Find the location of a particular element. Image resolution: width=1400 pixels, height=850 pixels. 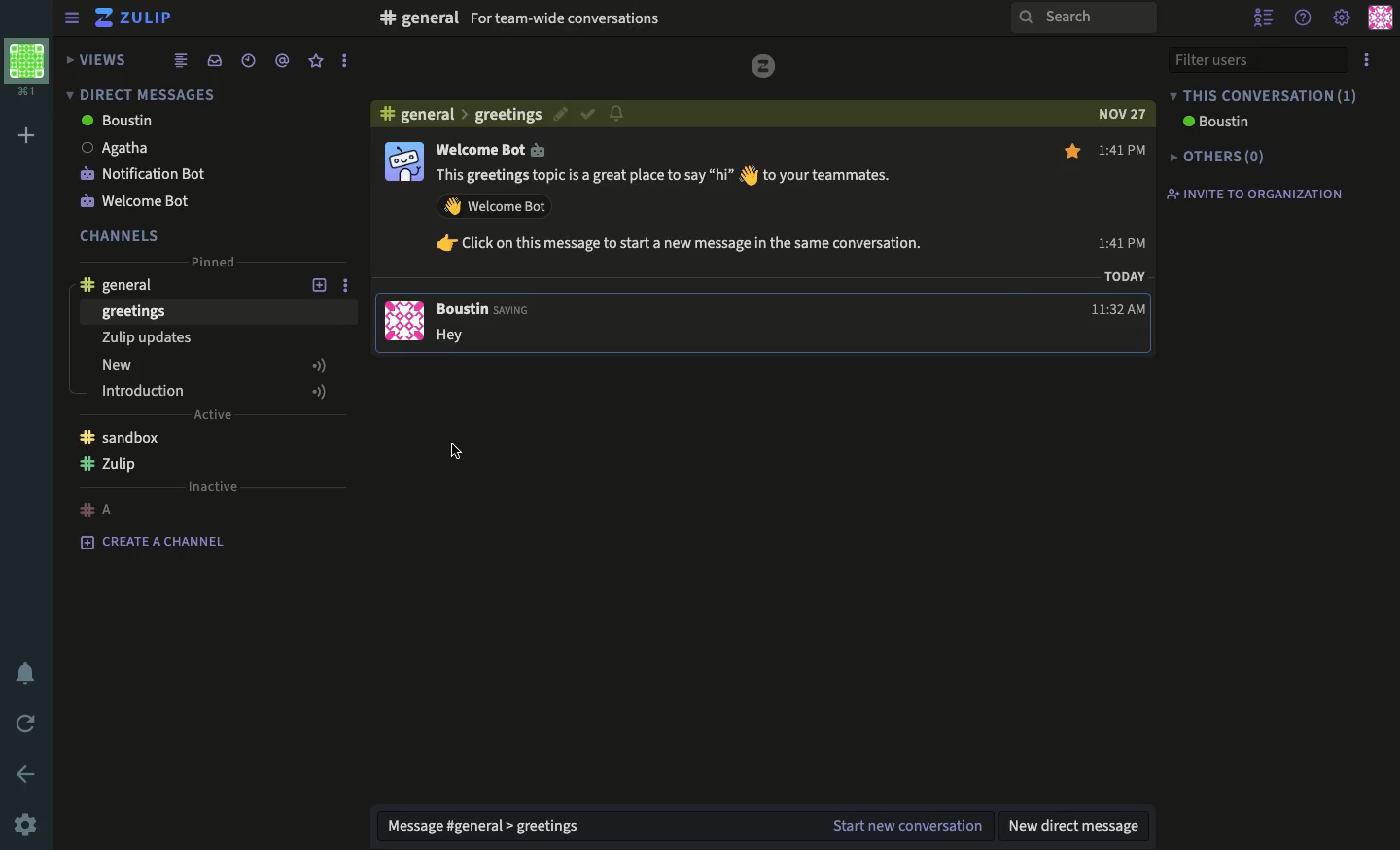

introduction is located at coordinates (216, 391).